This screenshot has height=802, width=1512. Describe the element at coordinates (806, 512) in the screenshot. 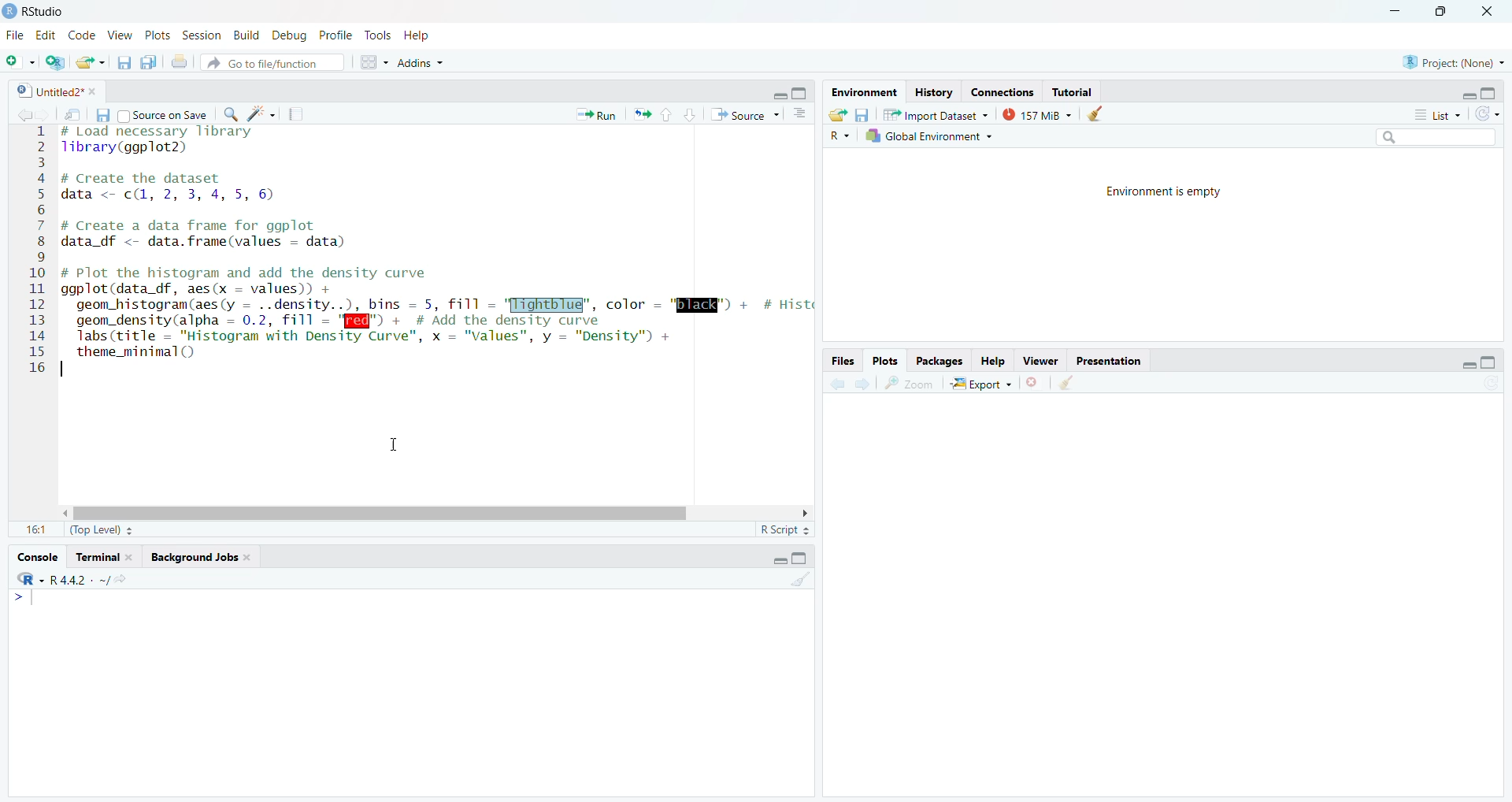

I see `move right` at that location.